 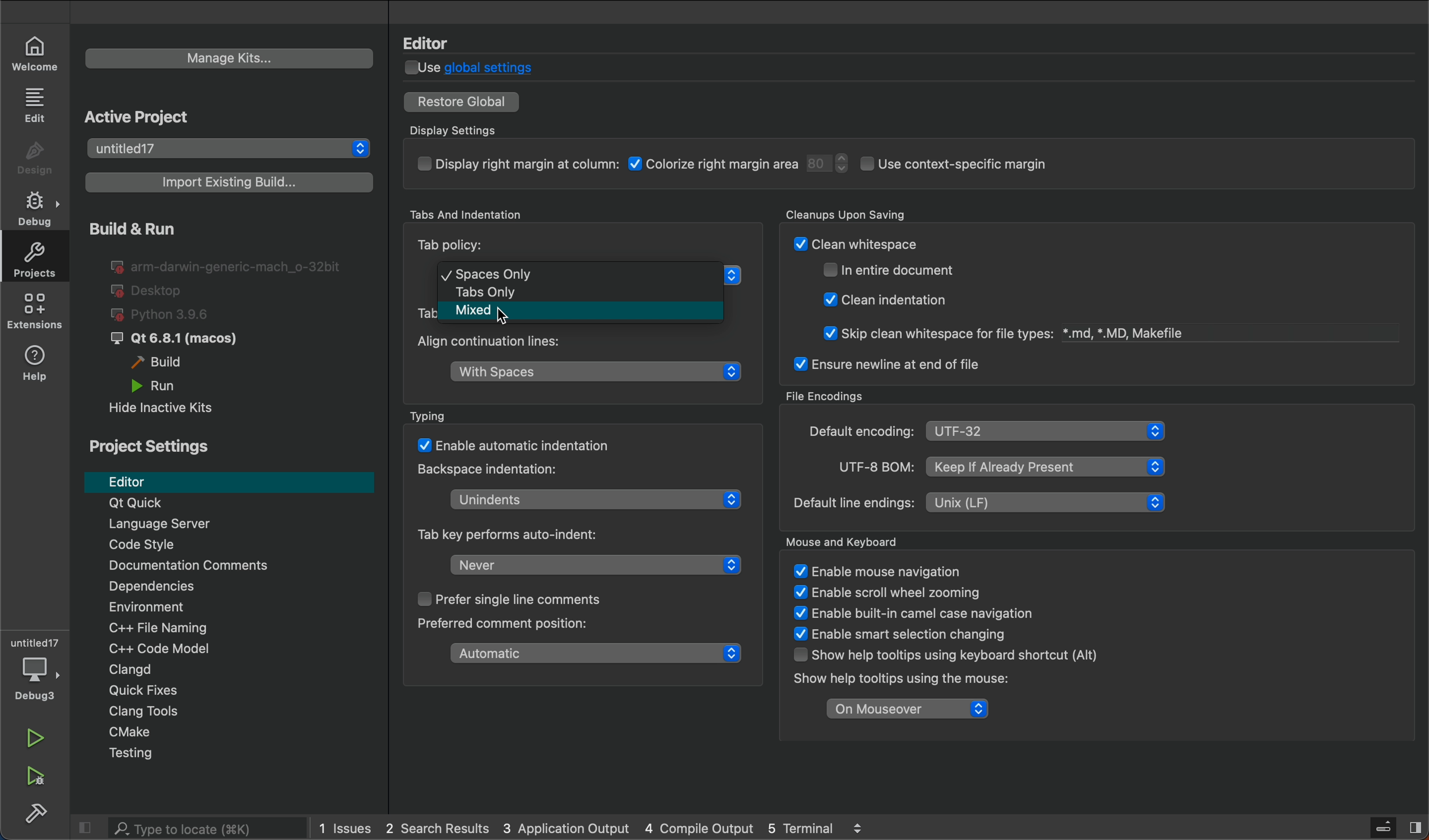 What do you see at coordinates (976, 503) in the screenshot?
I see `Default line endings: | Unix (LF) &l` at bounding box center [976, 503].